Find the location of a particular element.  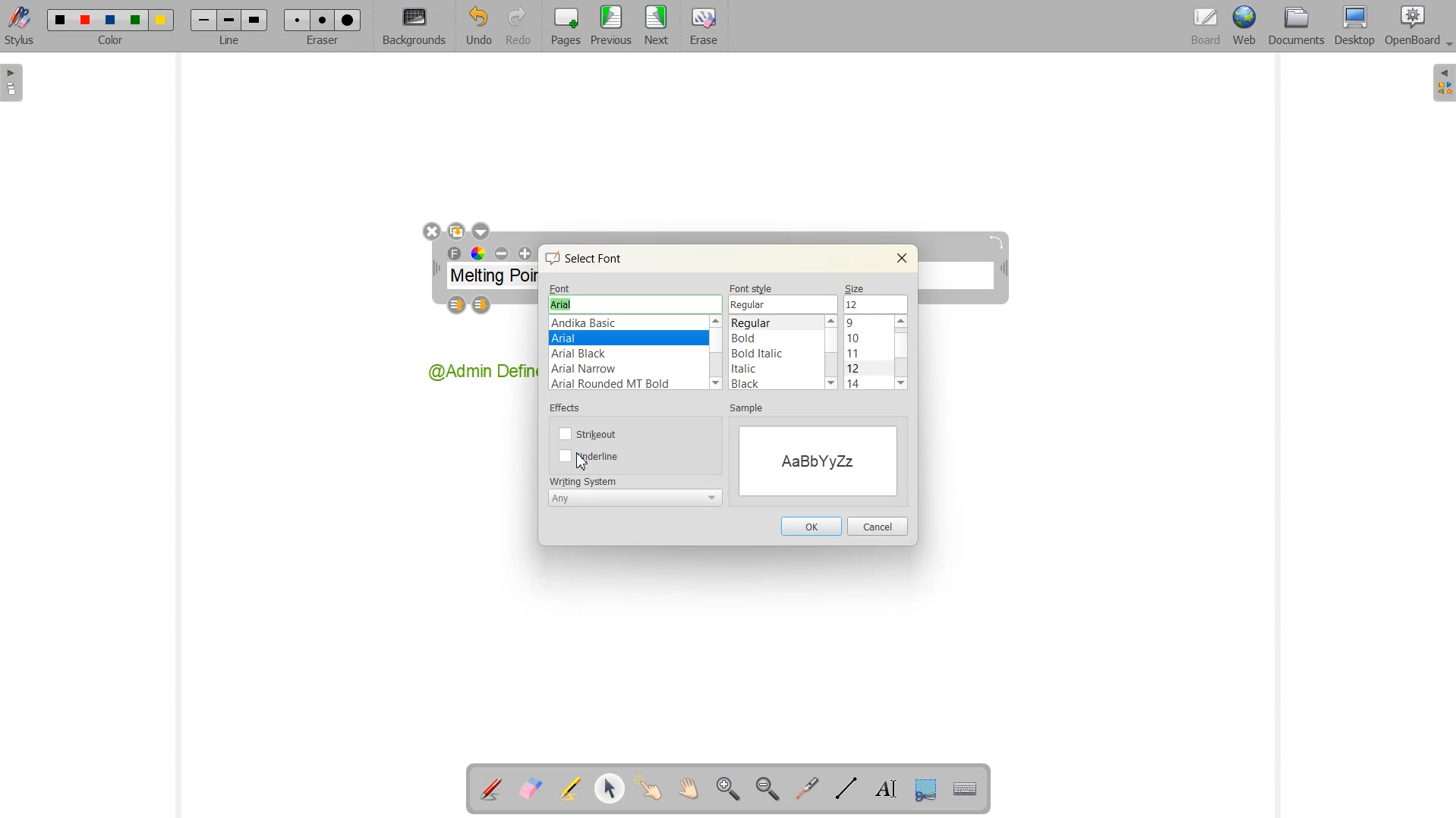

Font Text  is located at coordinates (455, 254).